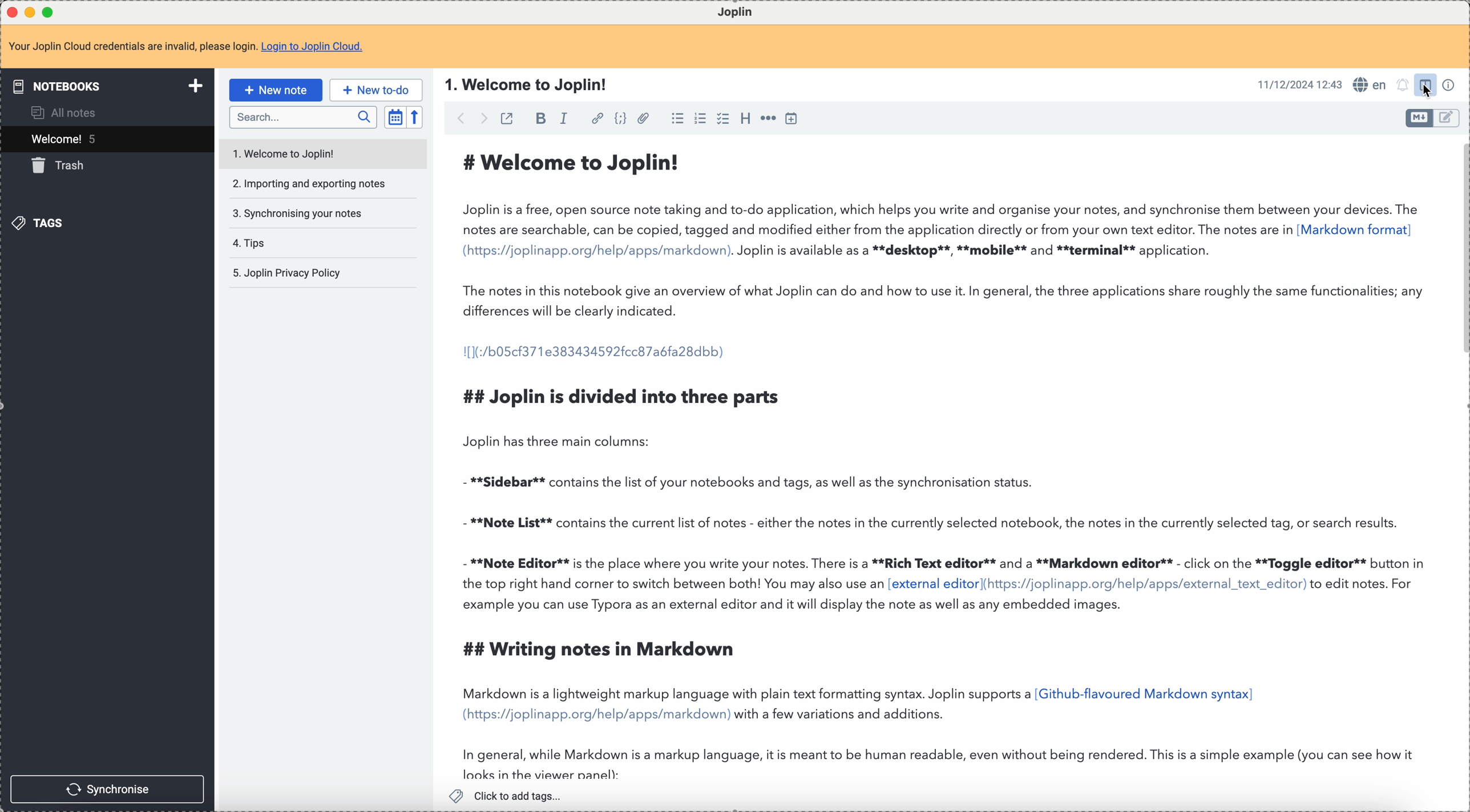  Describe the element at coordinates (676, 117) in the screenshot. I see `bulleted list` at that location.